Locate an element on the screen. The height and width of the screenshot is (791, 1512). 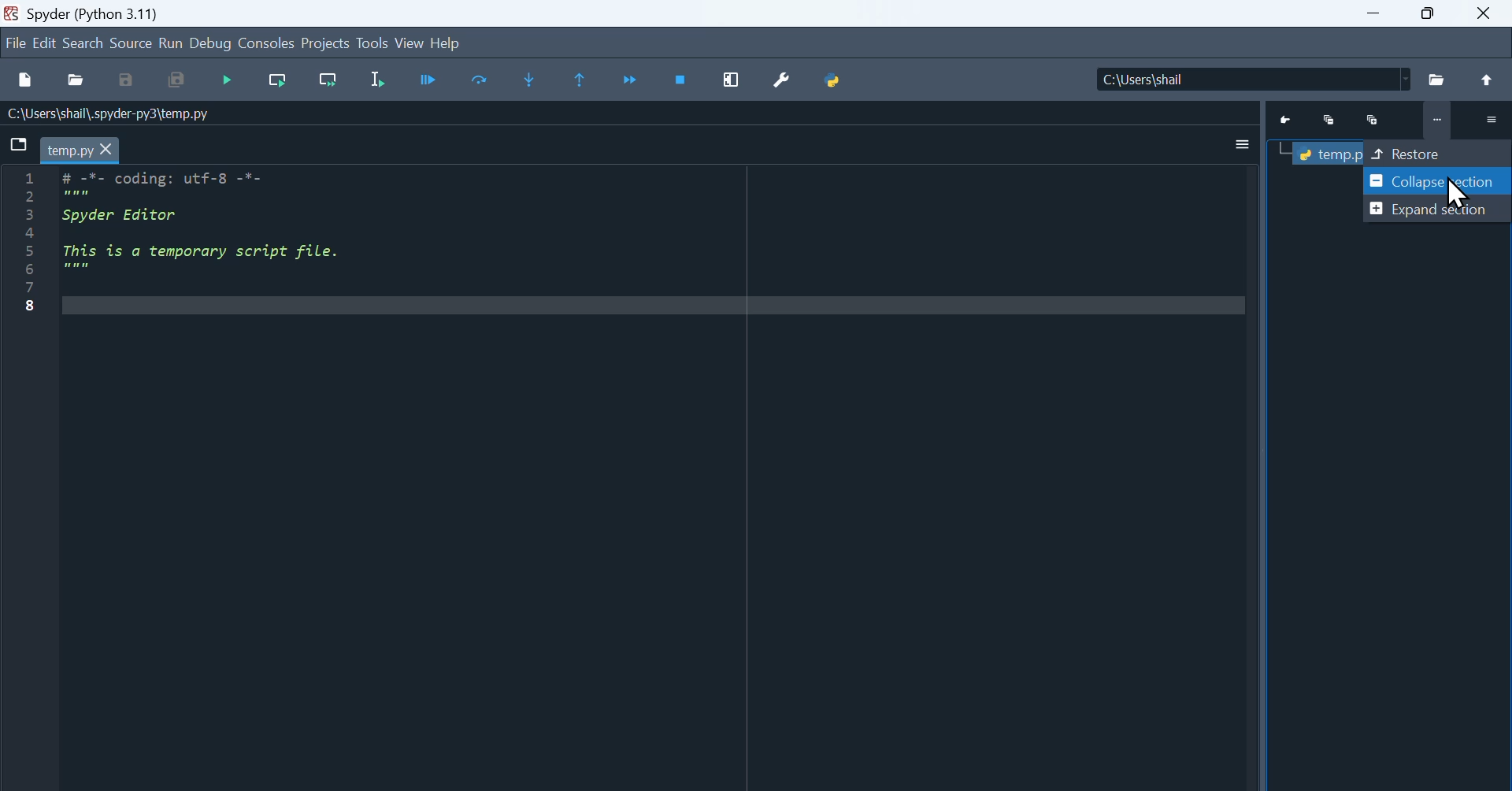
Go to is located at coordinates (1289, 121).